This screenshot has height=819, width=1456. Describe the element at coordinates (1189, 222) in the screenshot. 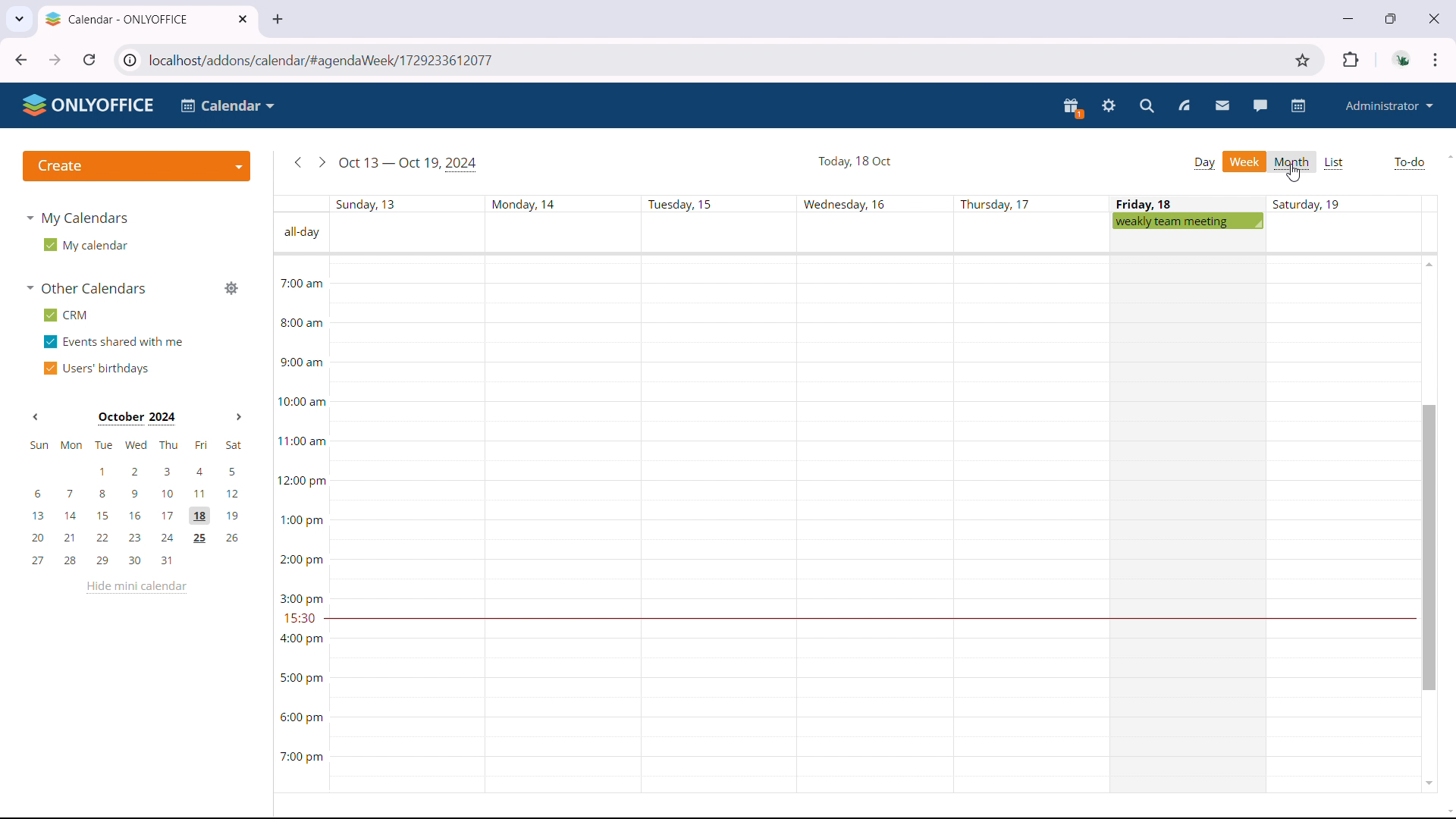

I see `scheduled meeting` at that location.